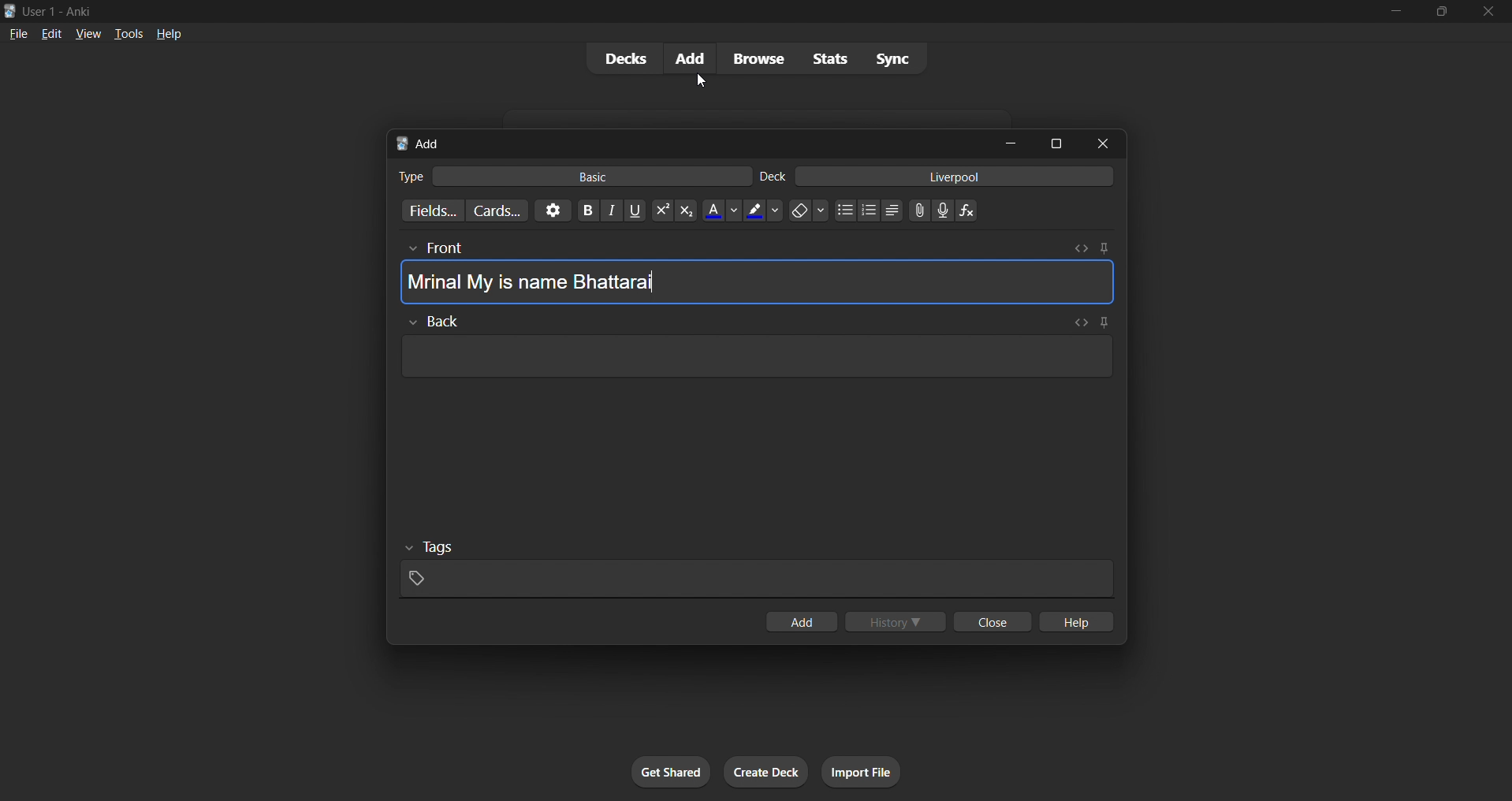 The image size is (1512, 801). Describe the element at coordinates (872, 210) in the screenshot. I see `ordered list` at that location.